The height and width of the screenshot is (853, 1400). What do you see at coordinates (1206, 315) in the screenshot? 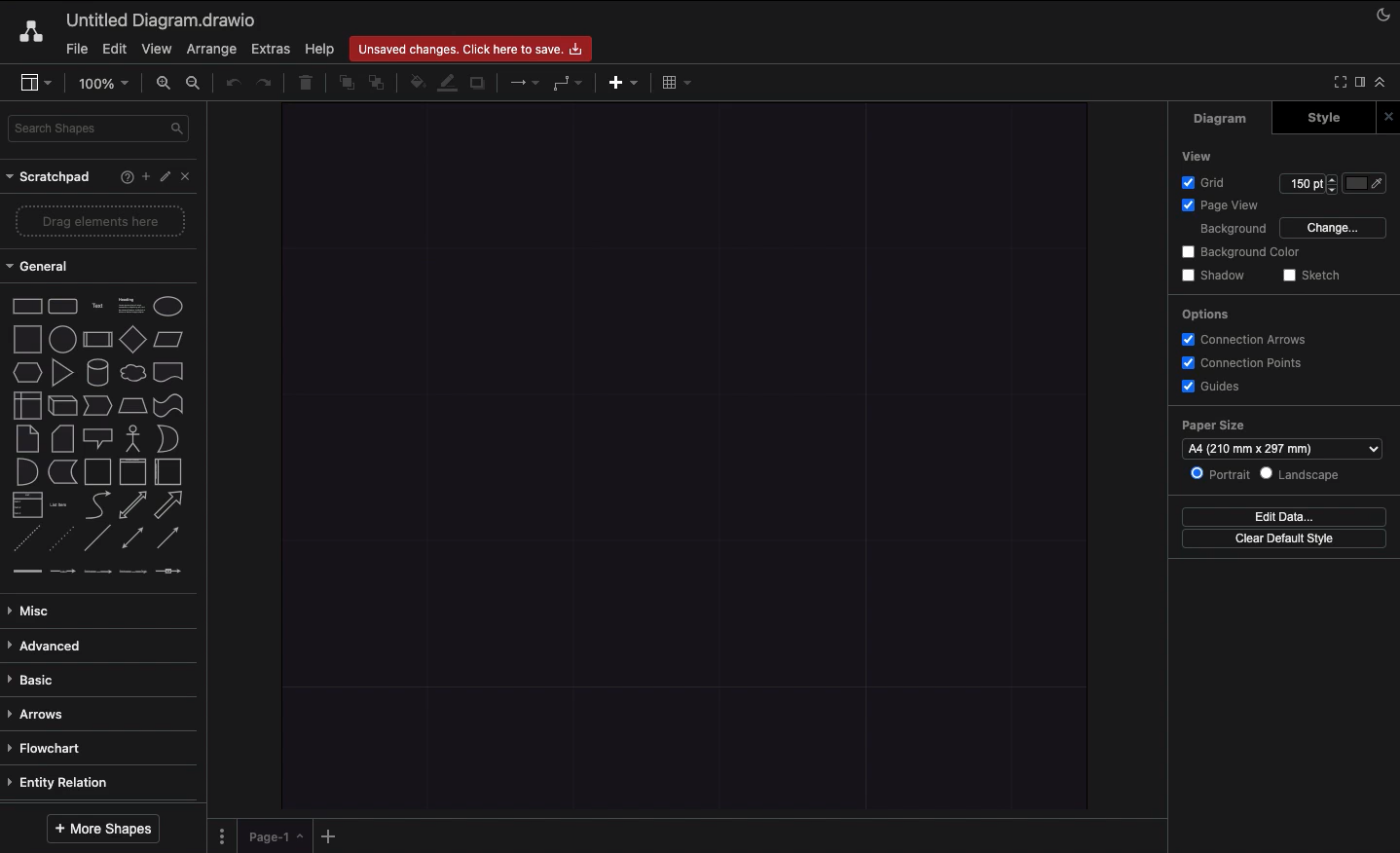
I see `Options` at bounding box center [1206, 315].